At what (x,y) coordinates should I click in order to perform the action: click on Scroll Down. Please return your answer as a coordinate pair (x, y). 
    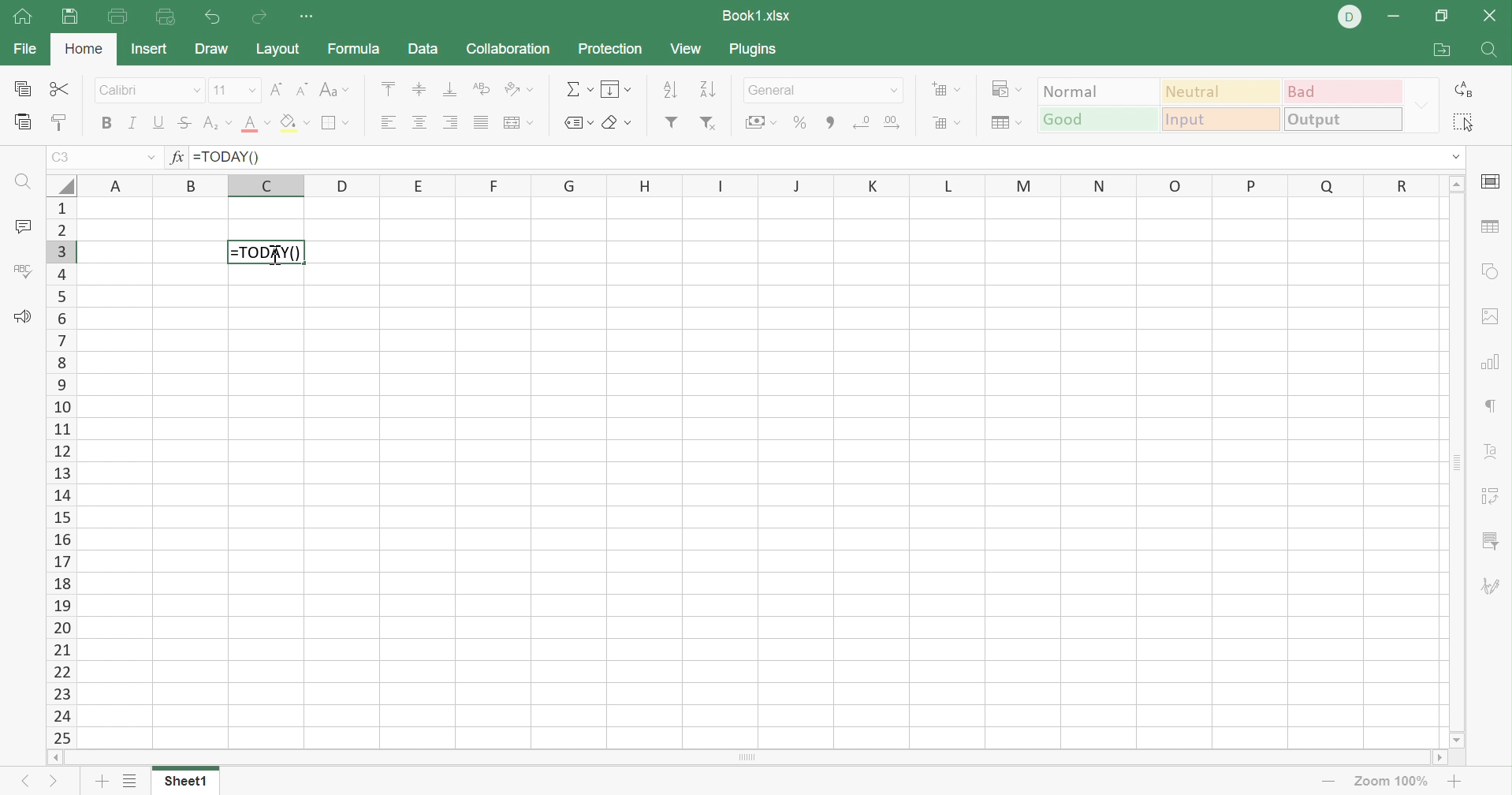
    Looking at the image, I should click on (1458, 741).